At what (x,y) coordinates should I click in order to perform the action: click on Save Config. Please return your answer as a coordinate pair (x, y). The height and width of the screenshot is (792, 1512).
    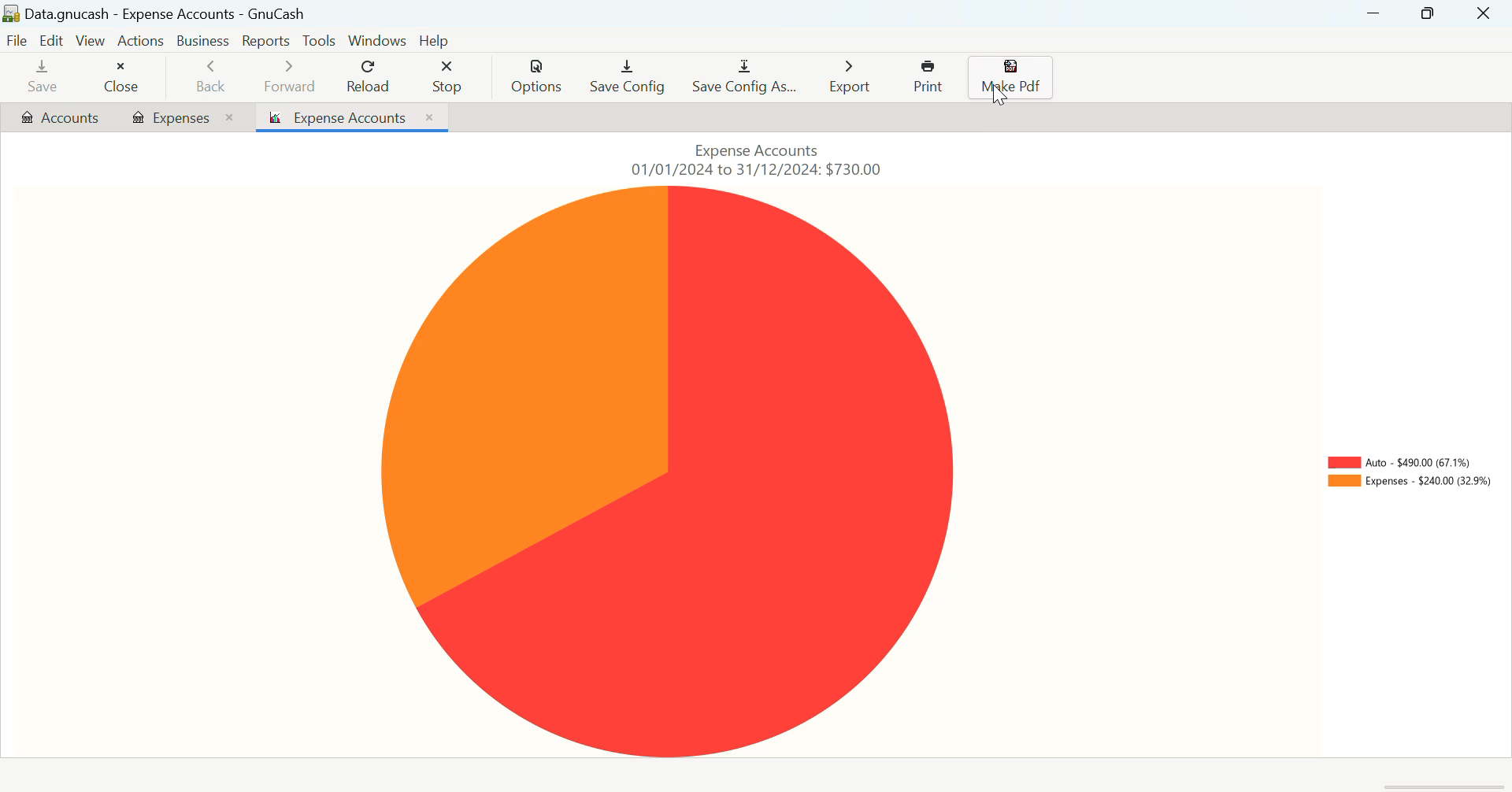
    Looking at the image, I should click on (628, 79).